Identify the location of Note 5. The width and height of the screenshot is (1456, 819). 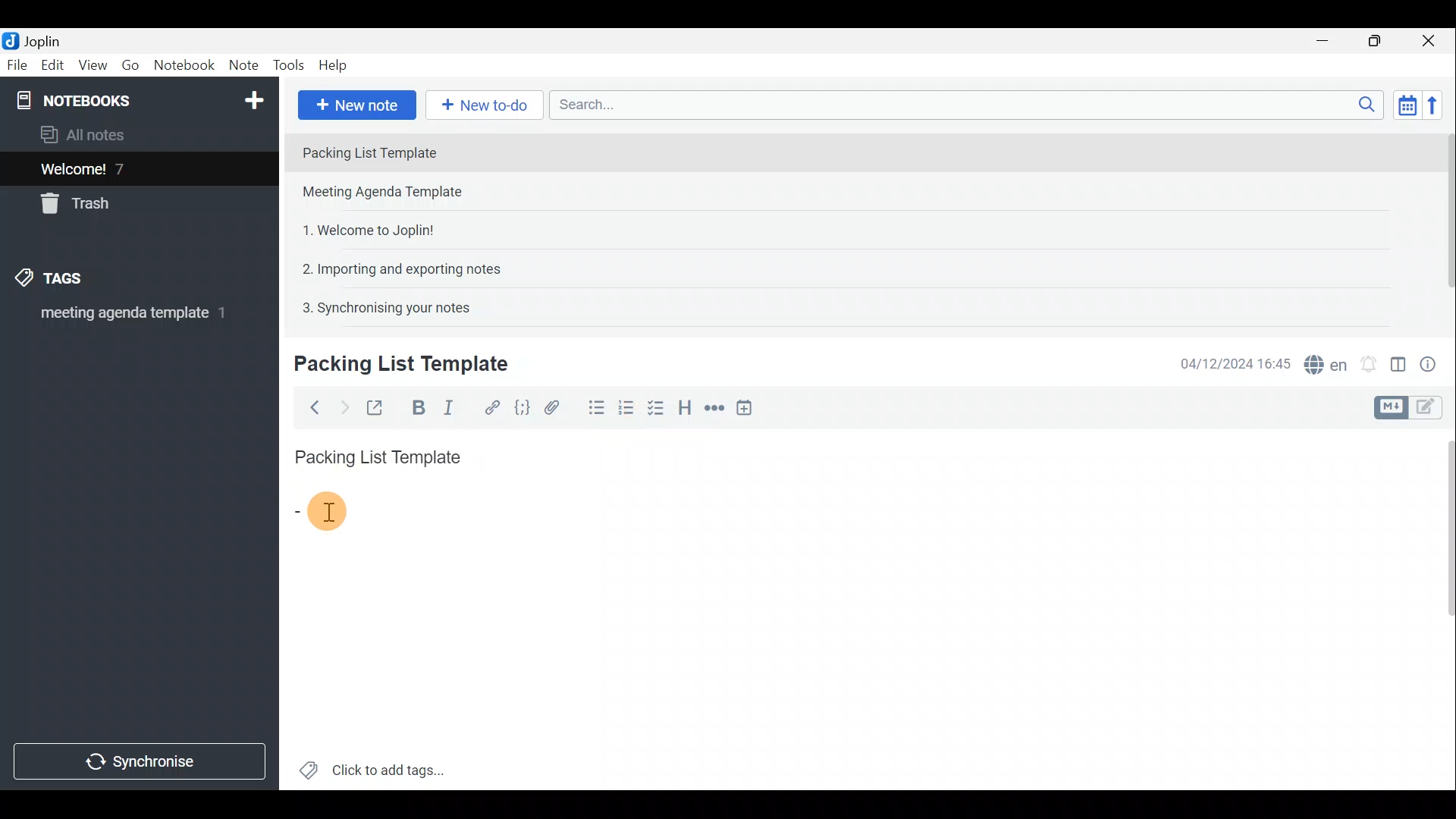
(380, 306).